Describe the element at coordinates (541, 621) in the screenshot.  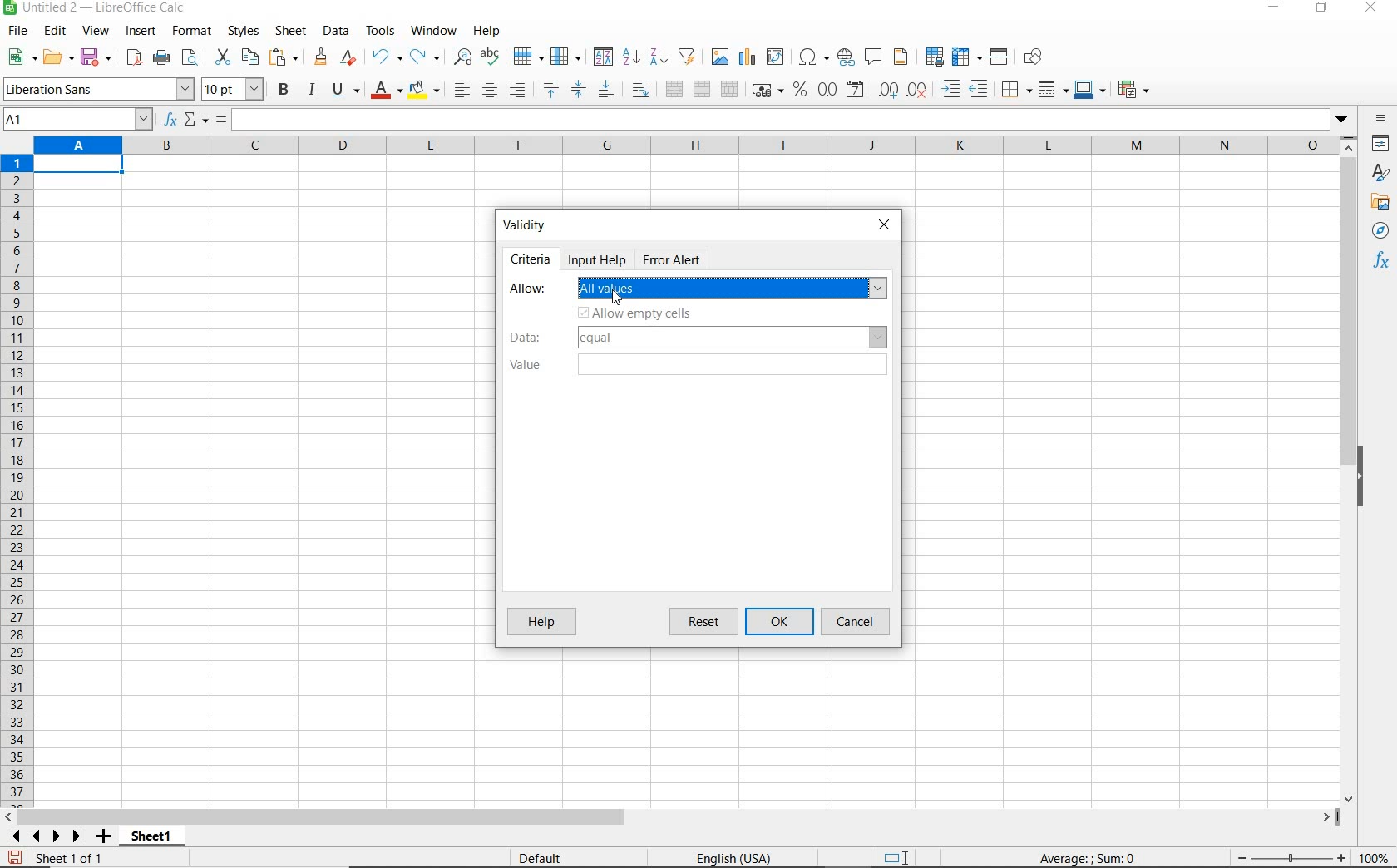
I see `help` at that location.